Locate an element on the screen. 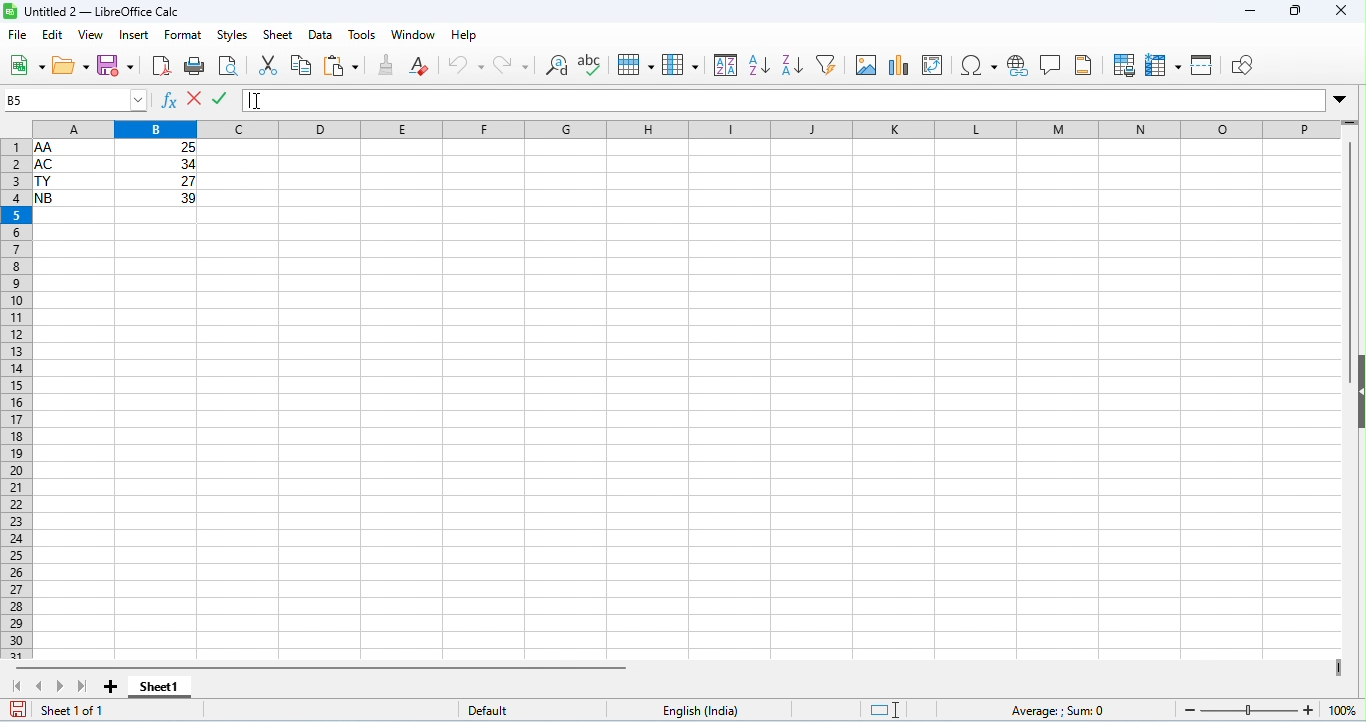  close is located at coordinates (1341, 11).